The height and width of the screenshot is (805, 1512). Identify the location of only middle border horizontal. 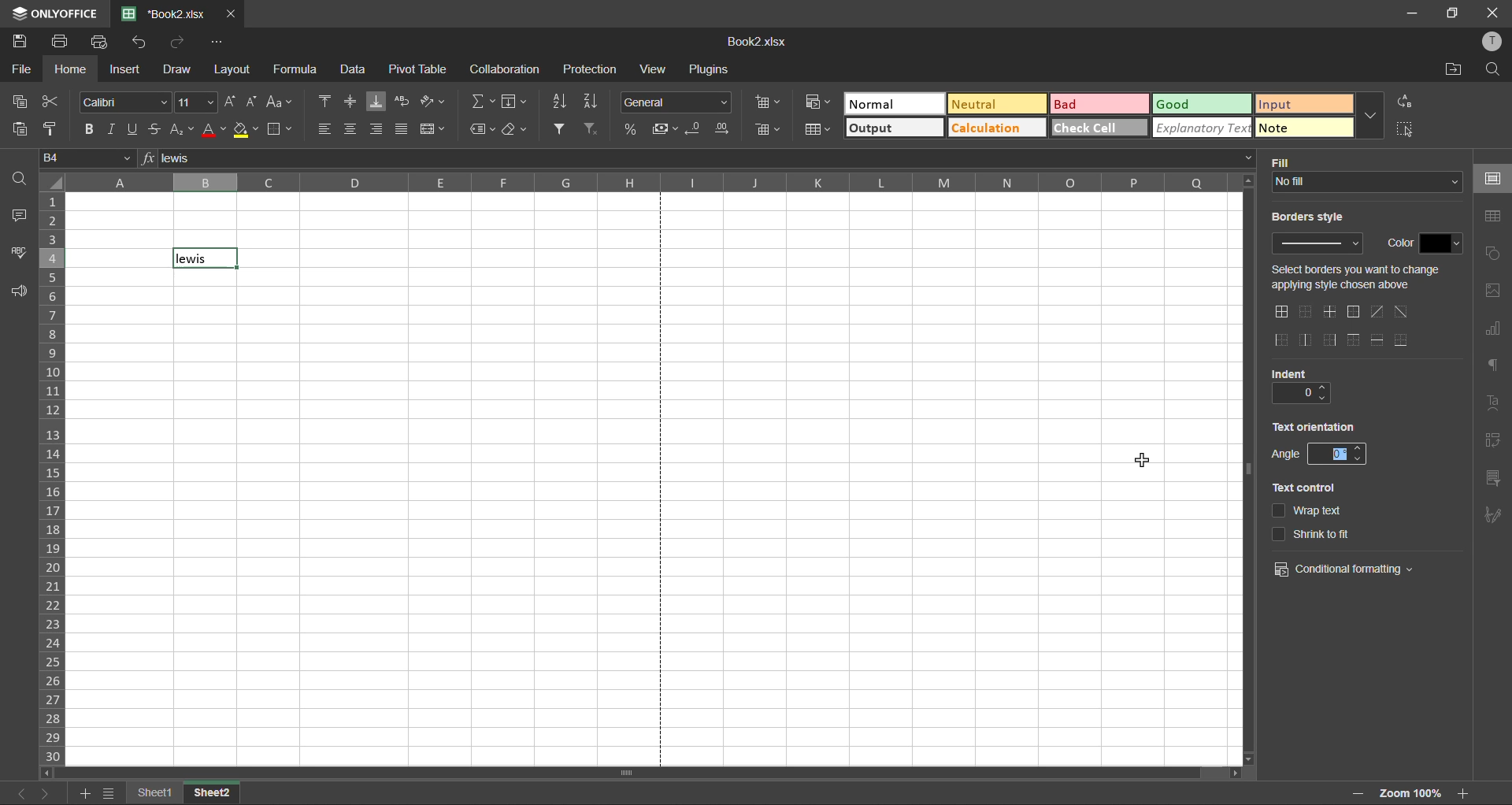
(1328, 312).